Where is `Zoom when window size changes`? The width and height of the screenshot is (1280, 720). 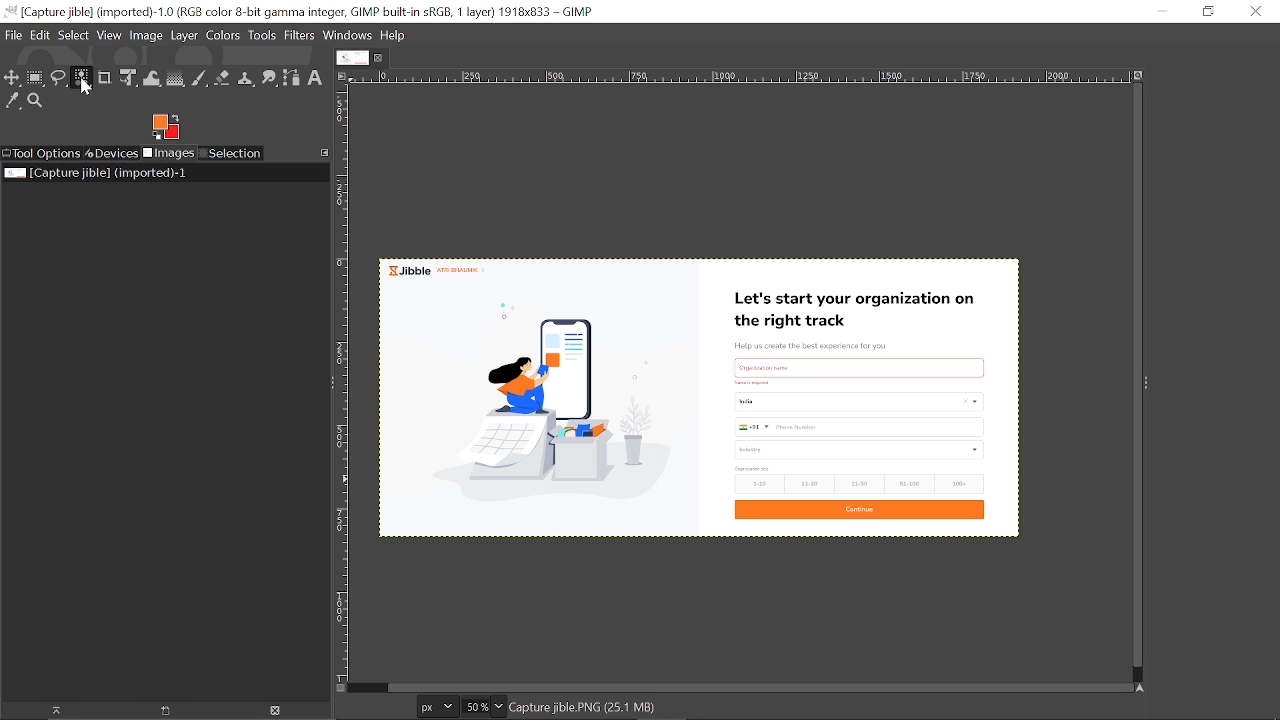 Zoom when window size changes is located at coordinates (1136, 77).